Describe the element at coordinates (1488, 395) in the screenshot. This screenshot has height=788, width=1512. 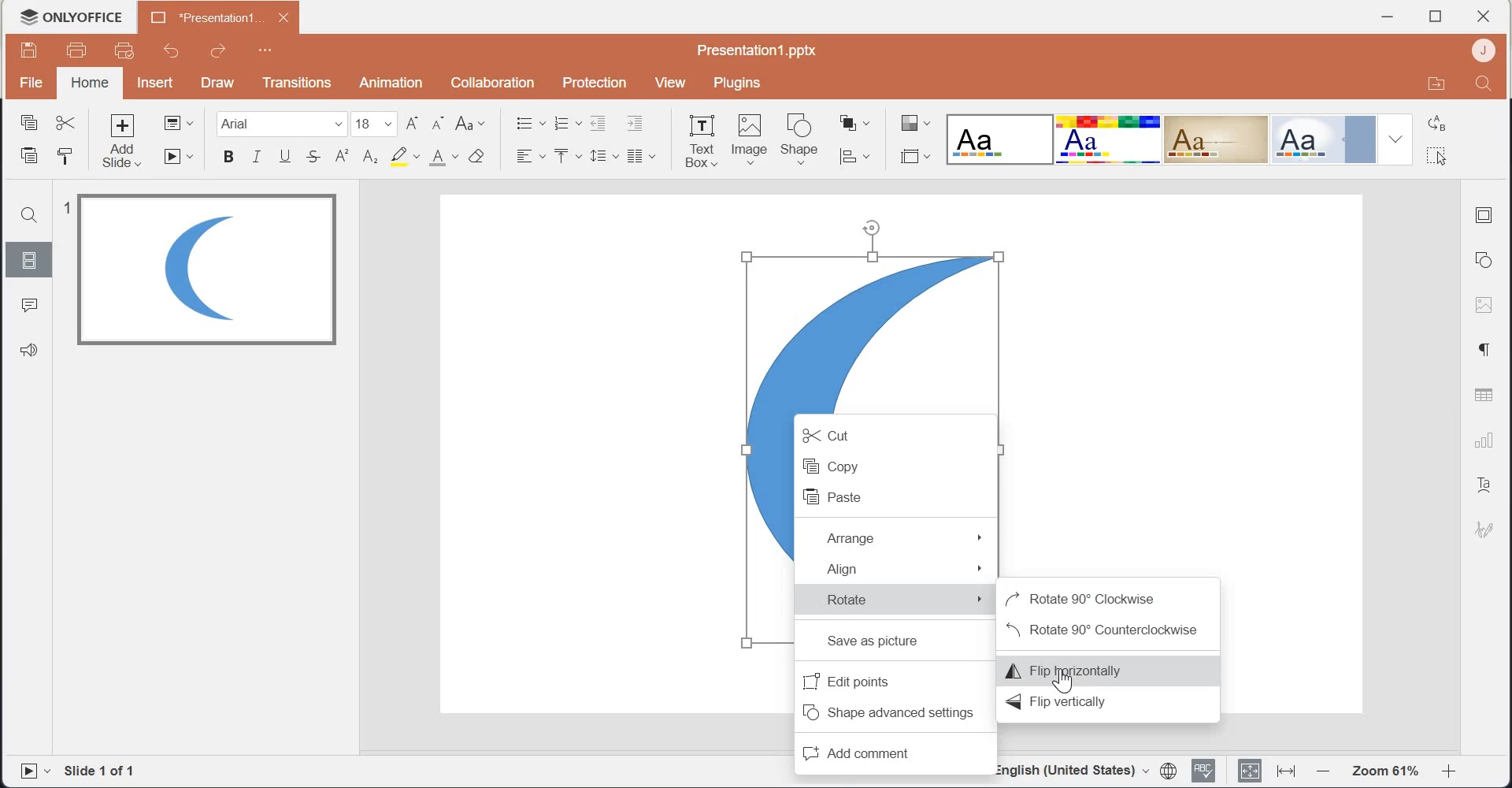
I see `Table ` at that location.